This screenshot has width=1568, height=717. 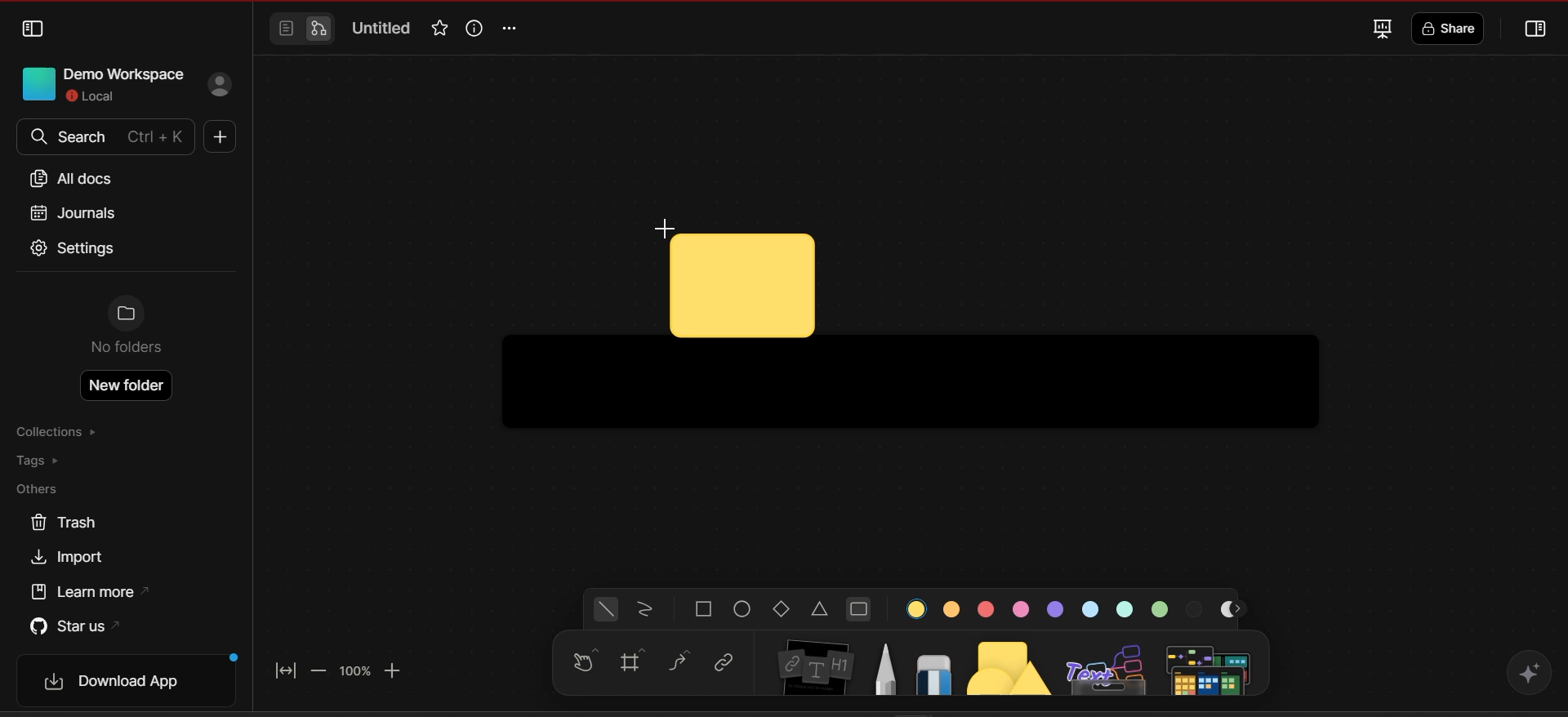 I want to click on general, so click(x=607, y=610).